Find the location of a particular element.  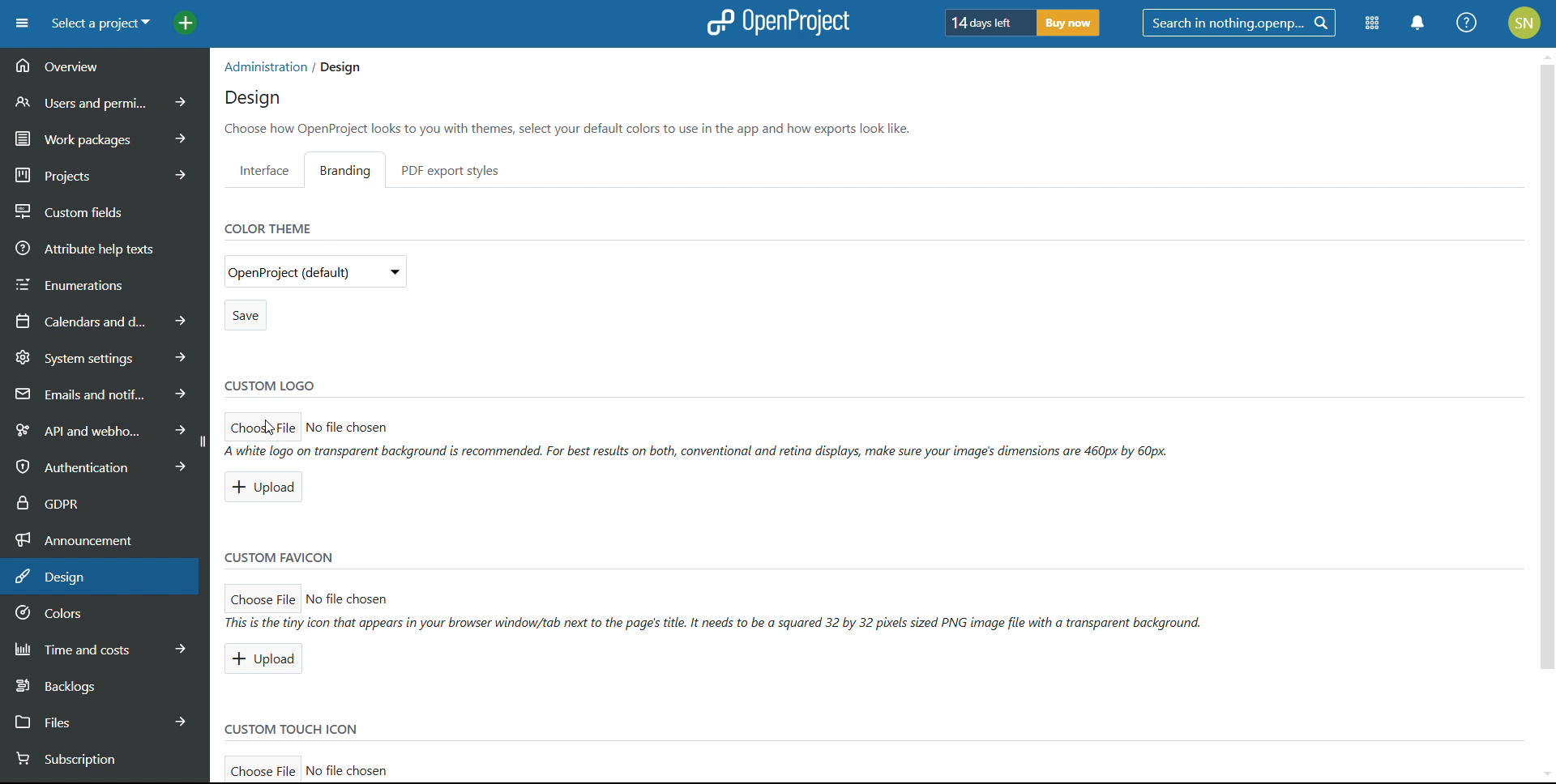

enumerations is located at coordinates (105, 282).